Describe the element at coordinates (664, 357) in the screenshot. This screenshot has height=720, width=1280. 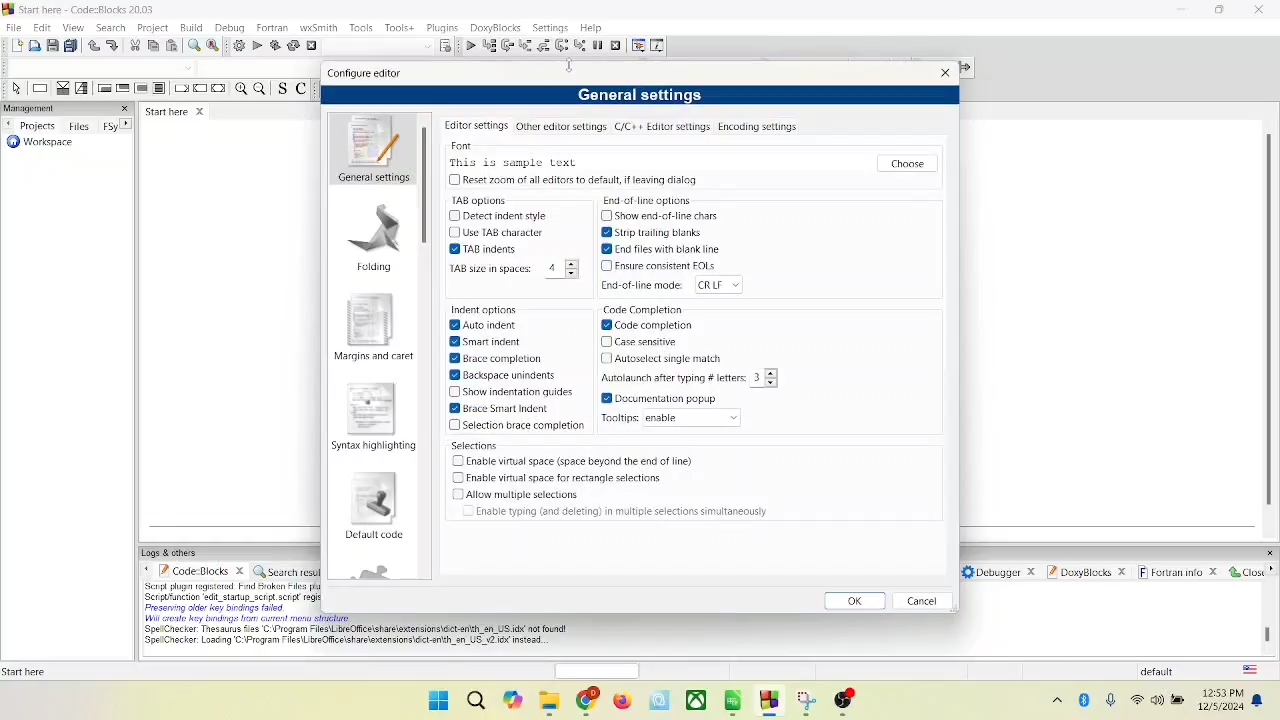
I see `autoselect single match` at that location.